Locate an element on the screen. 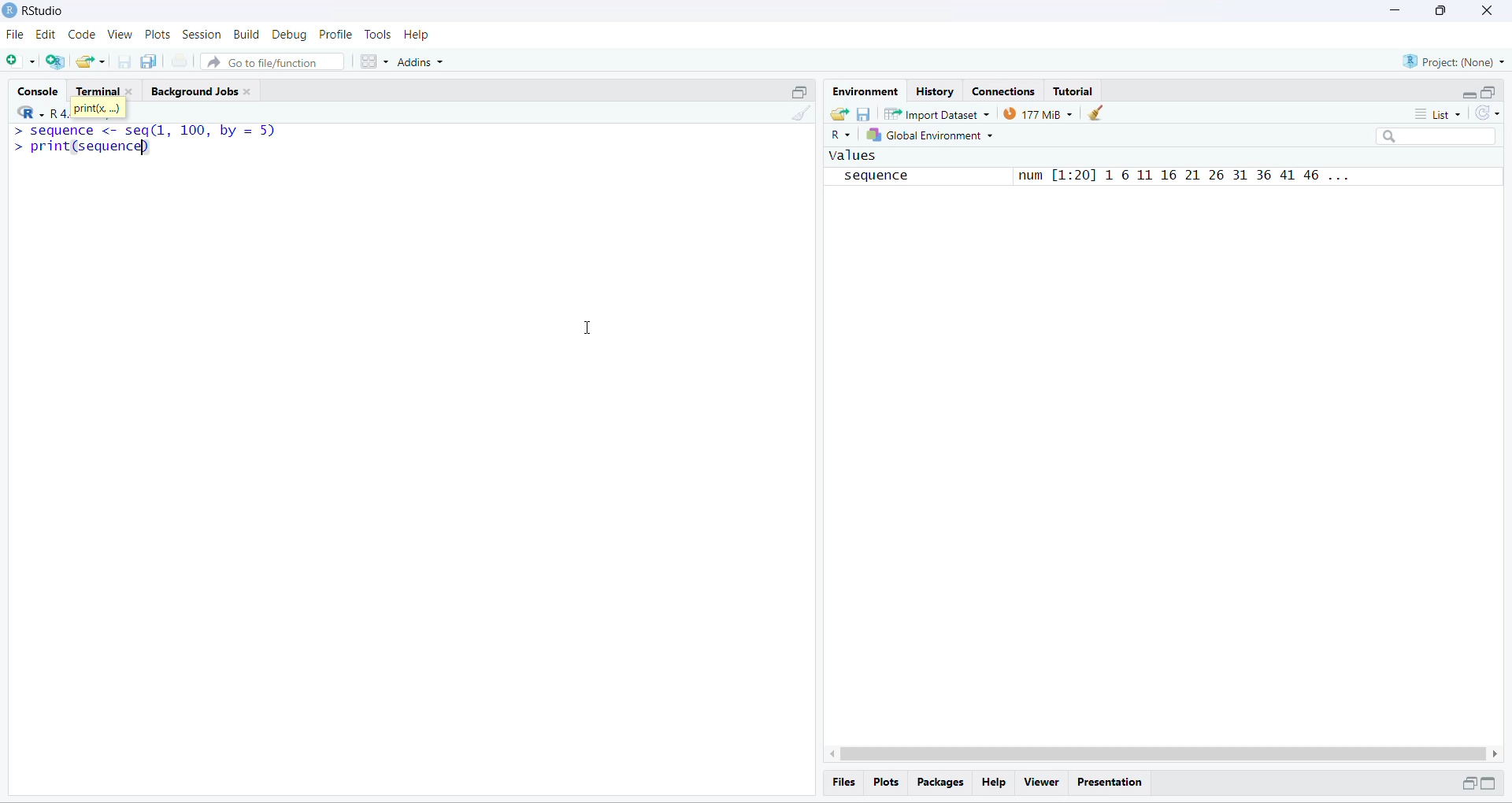 The width and height of the screenshot is (1512, 803). add R file is located at coordinates (55, 62).